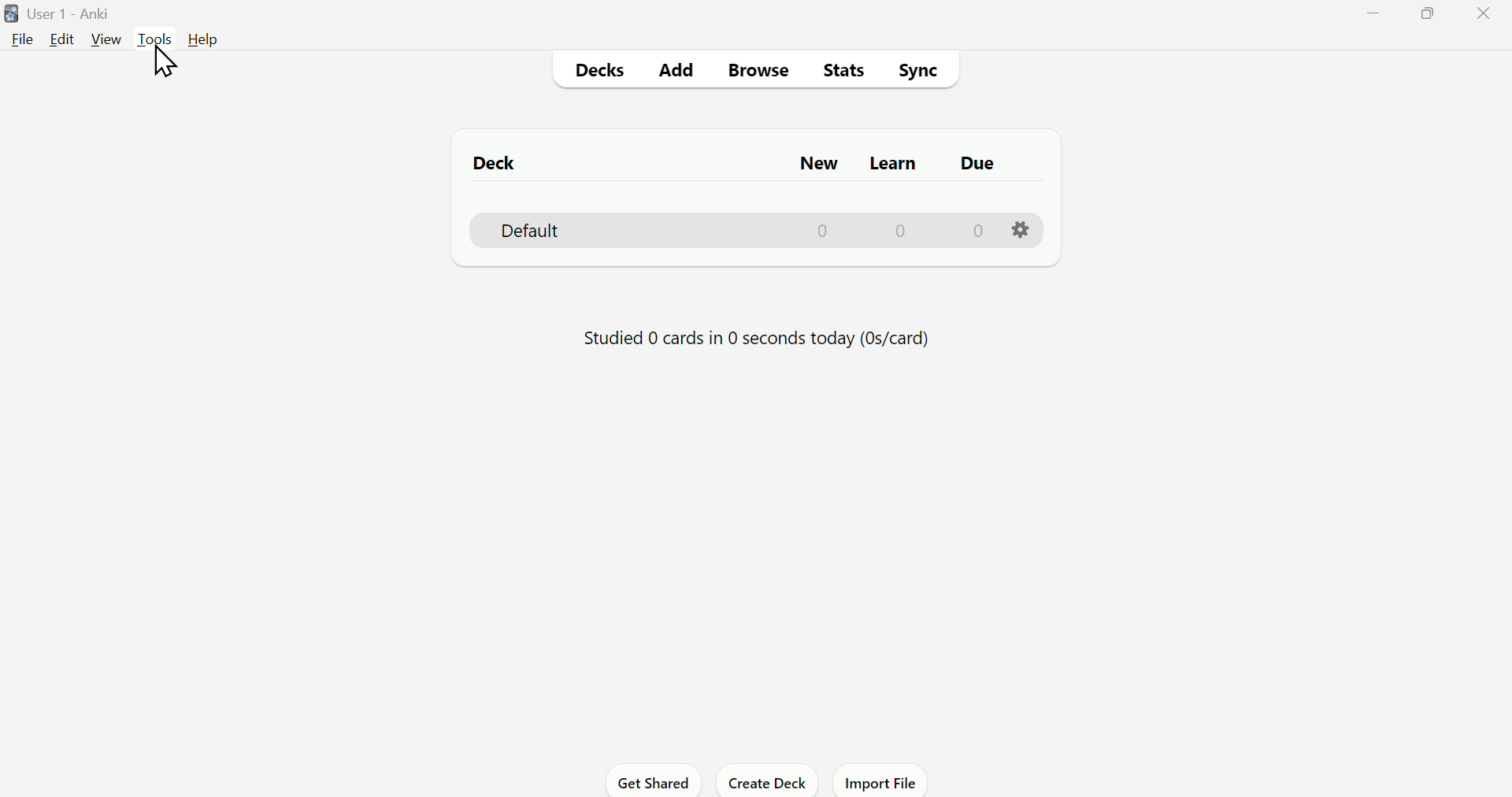  What do you see at coordinates (976, 229) in the screenshot?
I see `0` at bounding box center [976, 229].